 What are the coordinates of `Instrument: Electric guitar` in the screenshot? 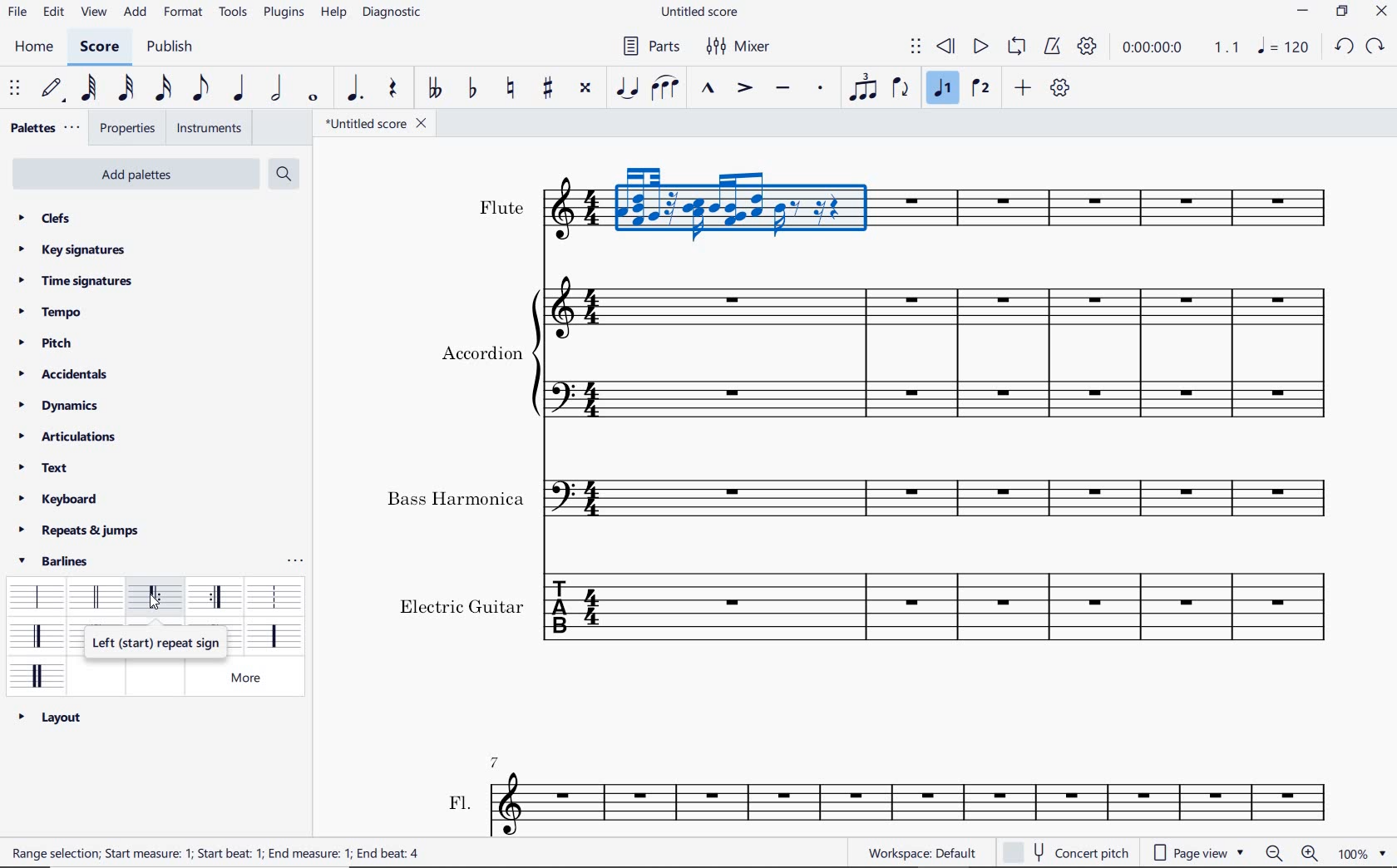 It's located at (945, 611).